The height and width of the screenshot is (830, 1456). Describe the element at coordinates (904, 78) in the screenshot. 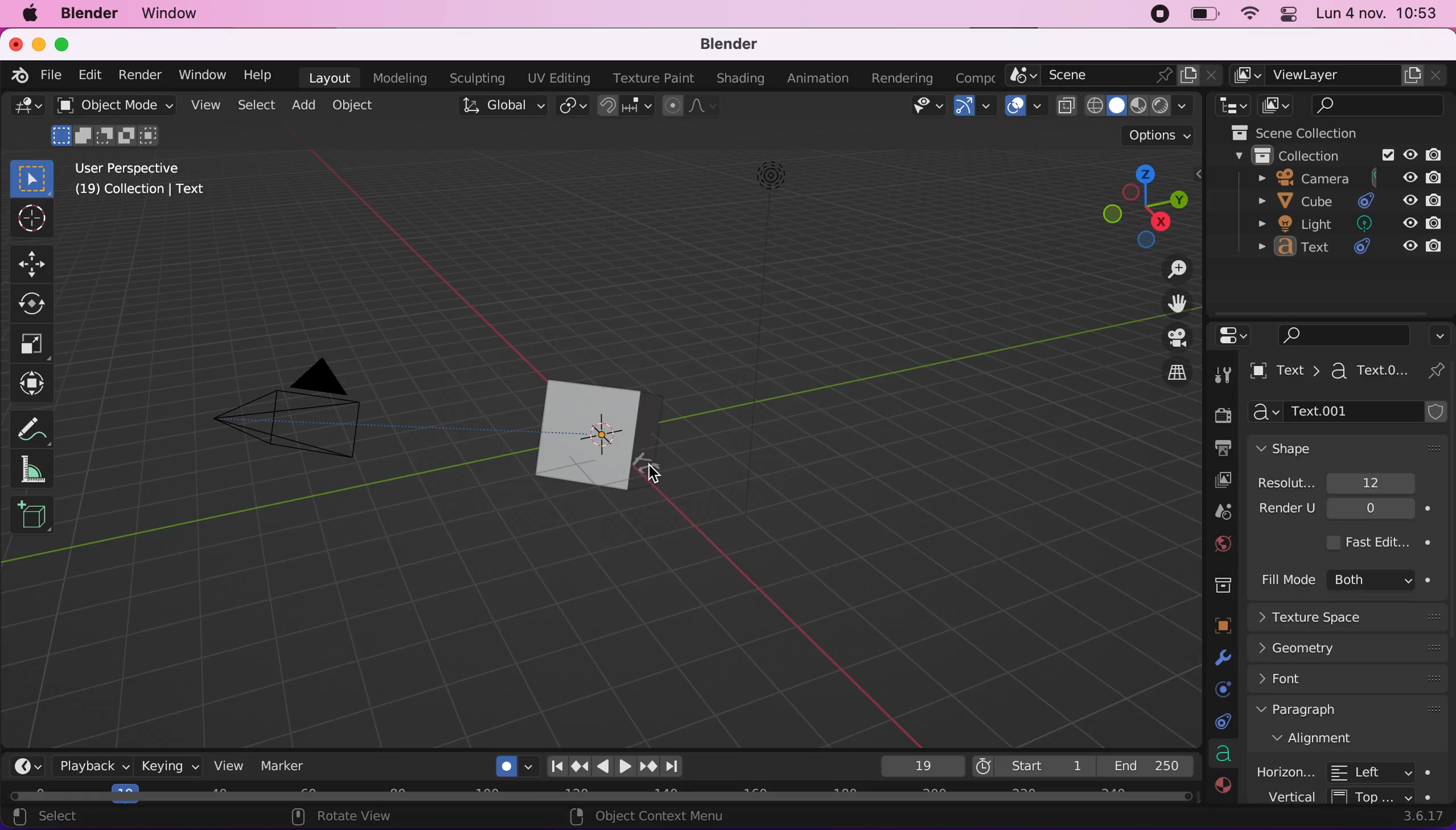

I see `rendering` at that location.